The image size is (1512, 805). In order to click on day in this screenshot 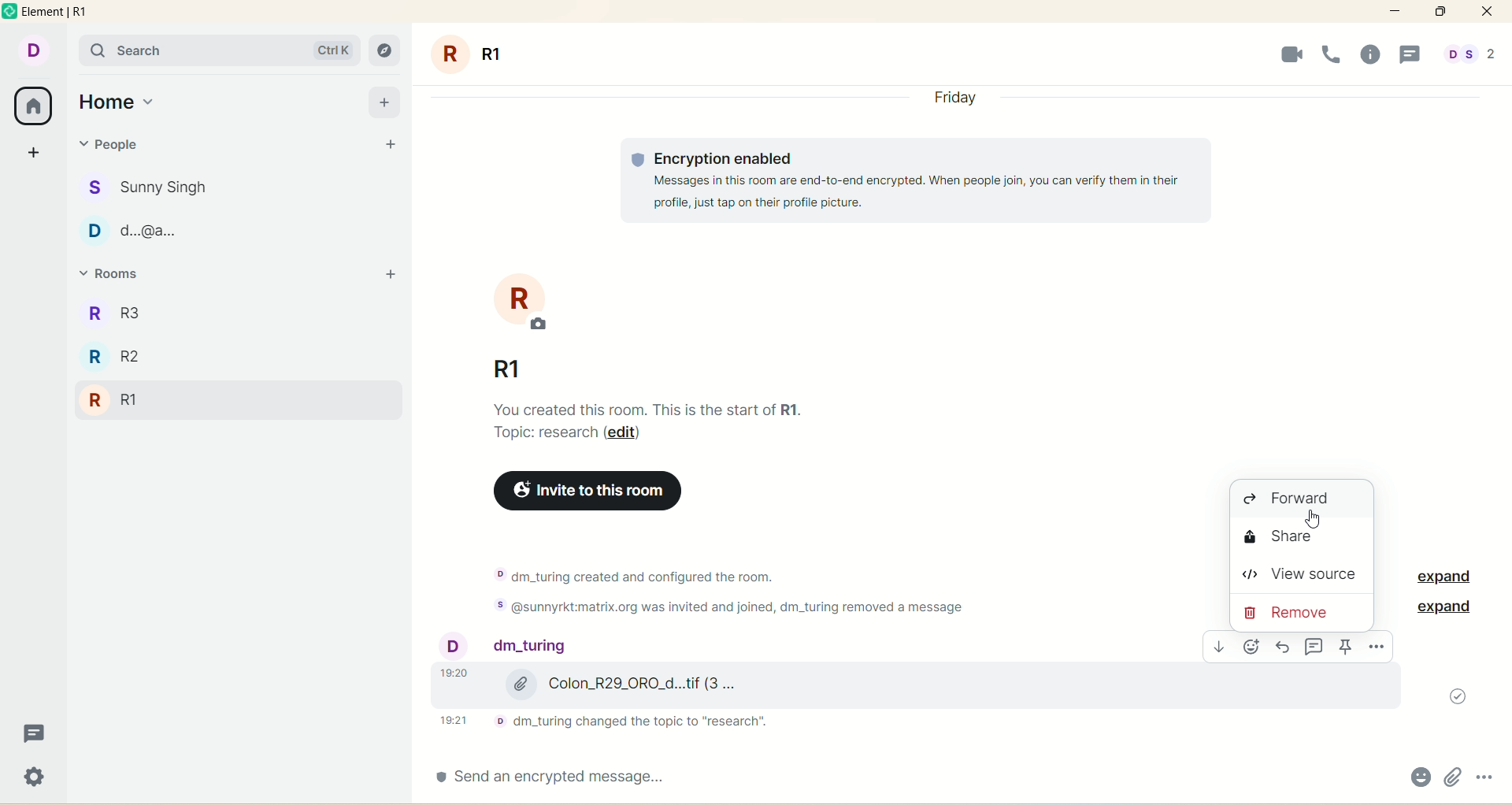, I will do `click(957, 101)`.